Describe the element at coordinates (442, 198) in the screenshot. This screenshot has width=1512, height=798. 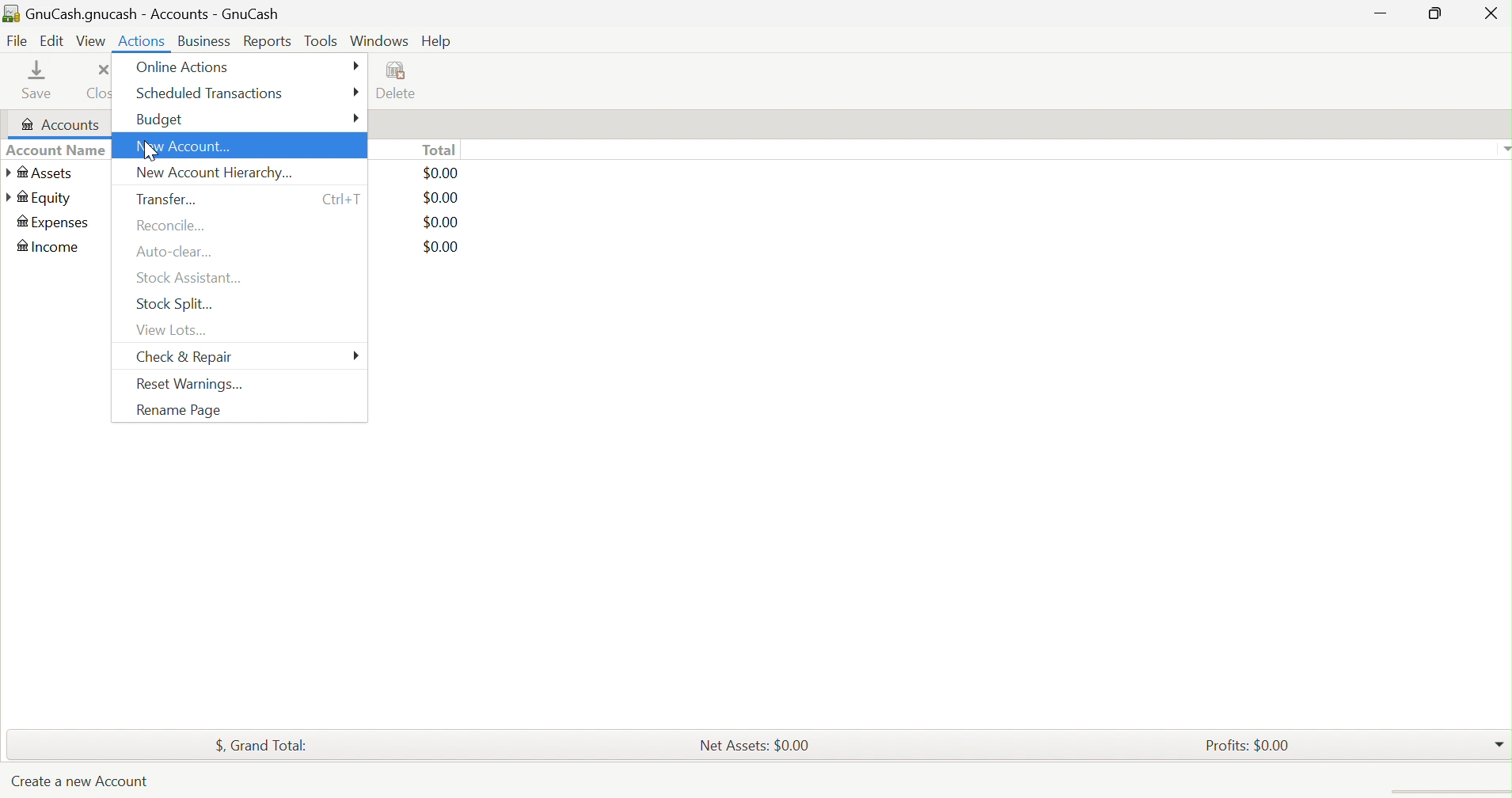
I see `$0.00` at that location.